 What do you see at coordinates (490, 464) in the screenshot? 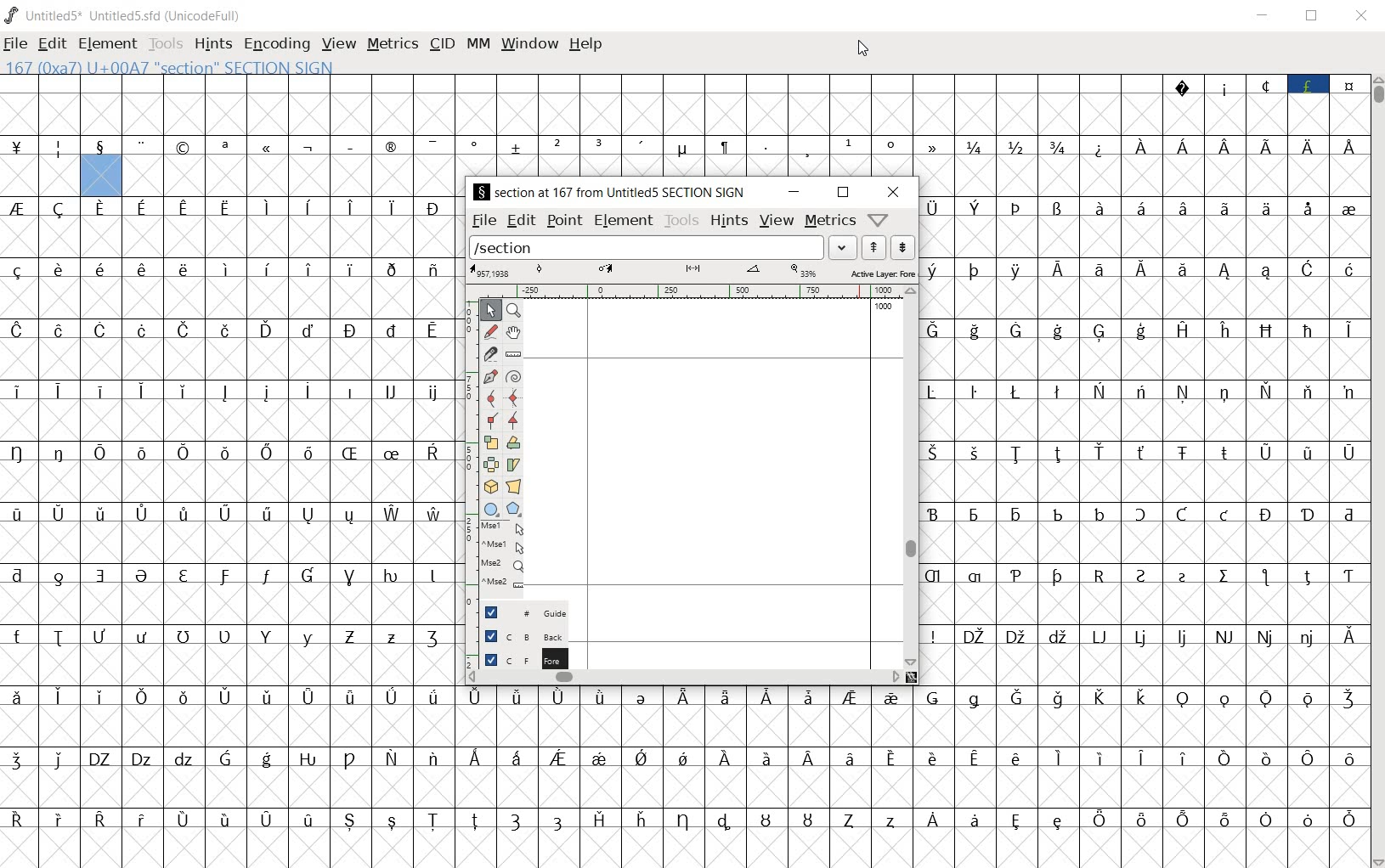
I see `flip the selection` at bounding box center [490, 464].